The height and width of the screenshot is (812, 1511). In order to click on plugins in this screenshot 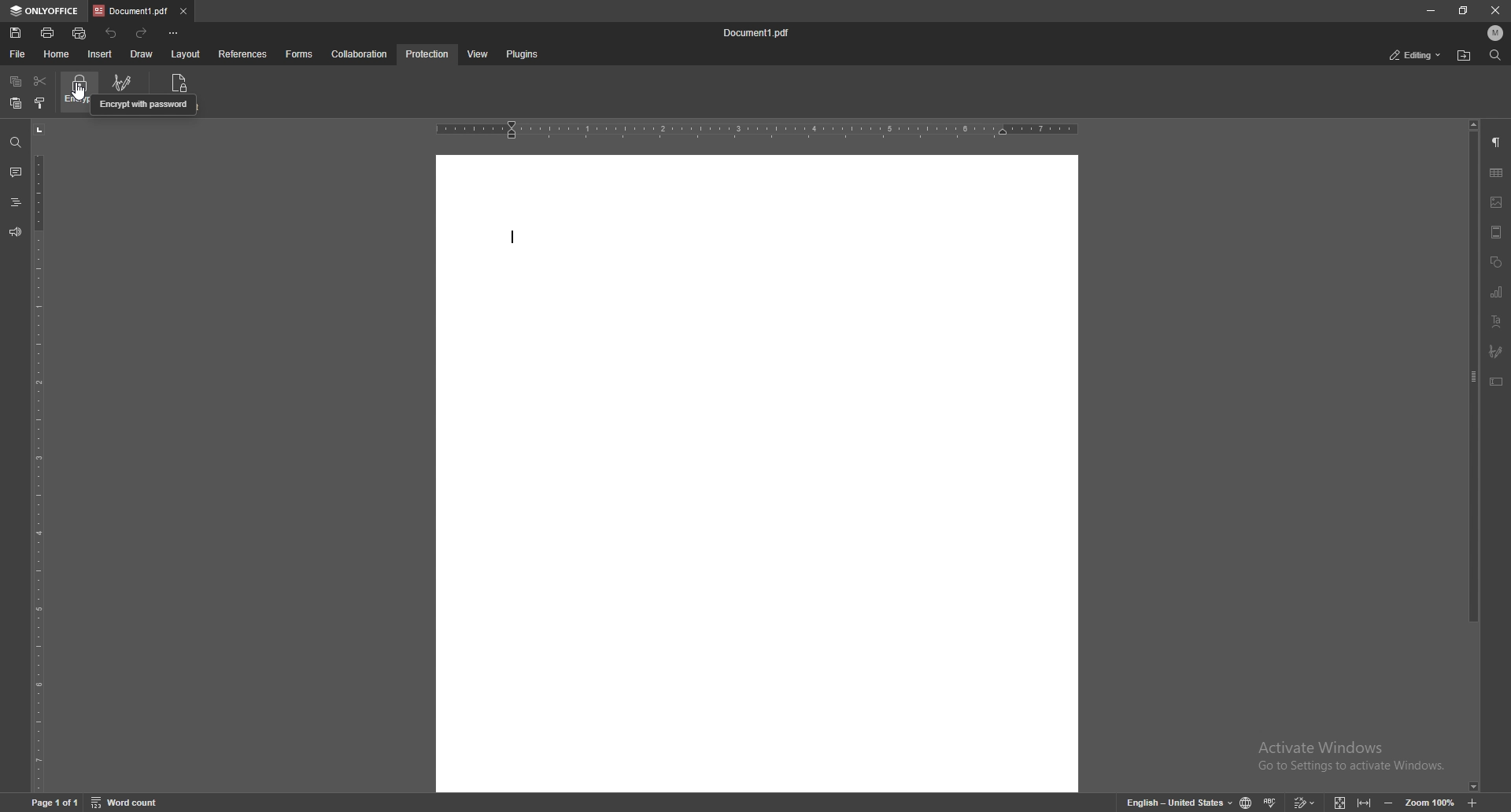, I will do `click(524, 54)`.